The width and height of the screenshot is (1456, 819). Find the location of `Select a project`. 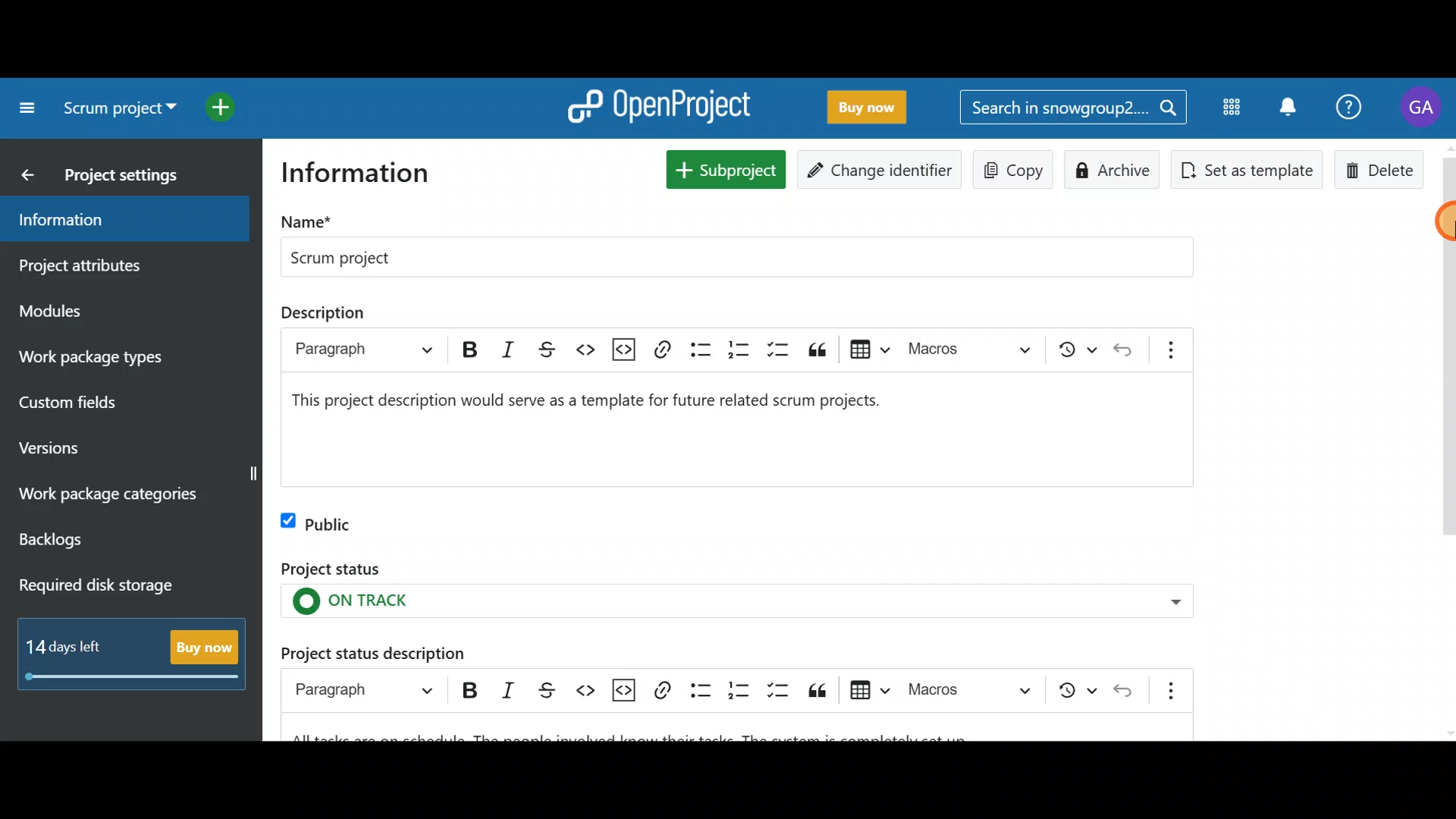

Select a project is located at coordinates (123, 114).